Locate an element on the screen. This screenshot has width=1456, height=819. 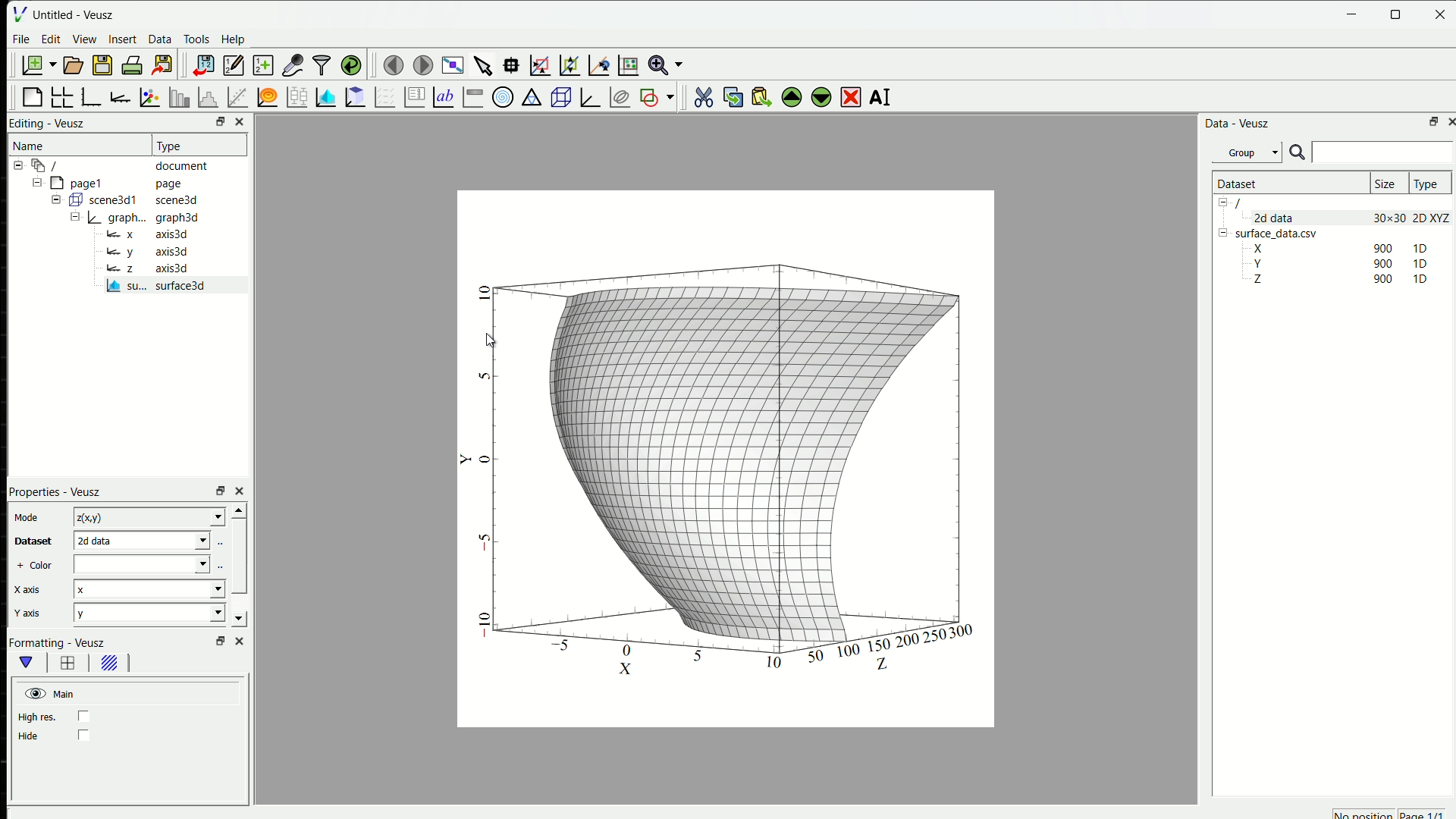
document is located at coordinates (181, 167).